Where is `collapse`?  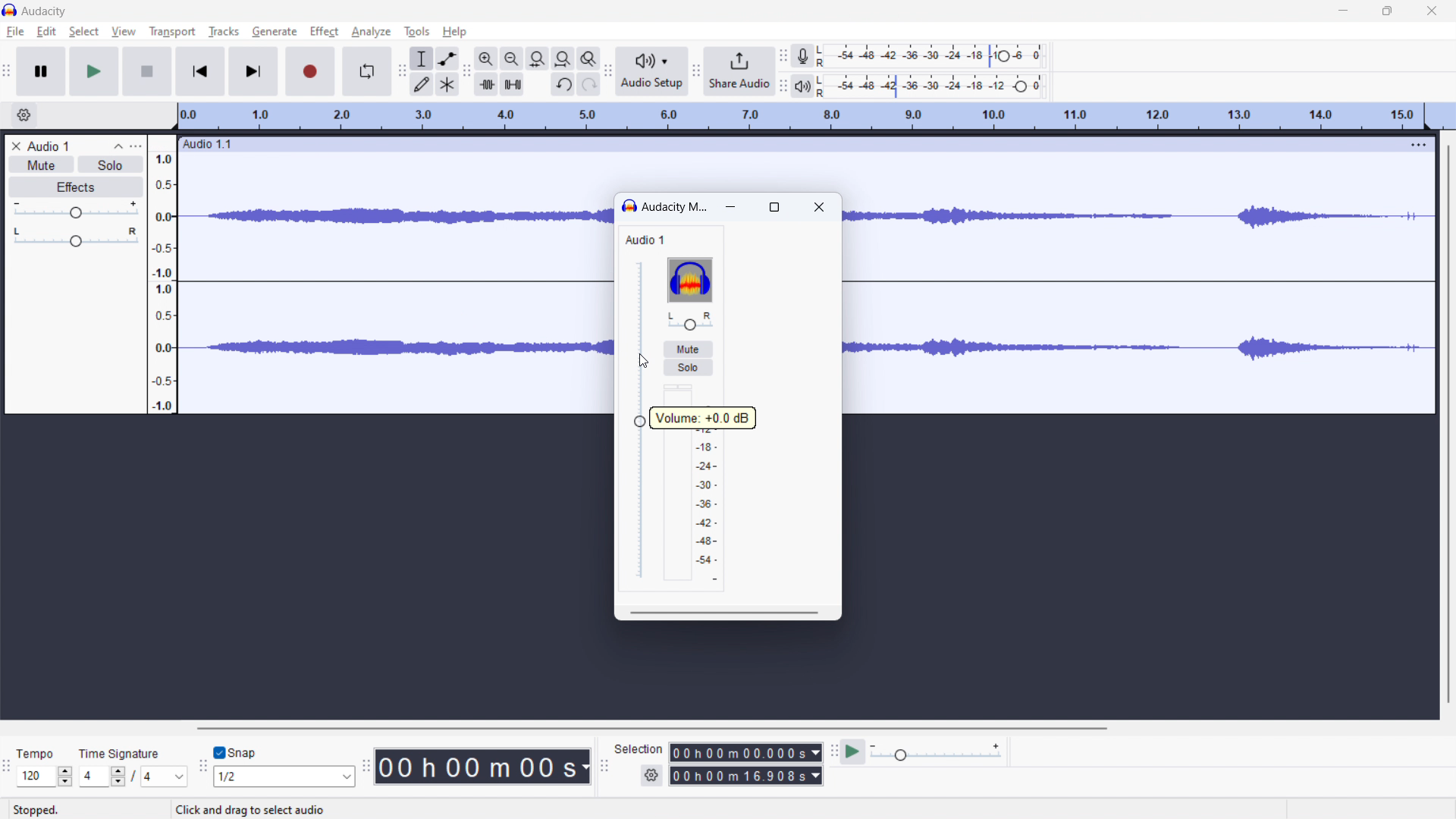
collapse is located at coordinates (118, 146).